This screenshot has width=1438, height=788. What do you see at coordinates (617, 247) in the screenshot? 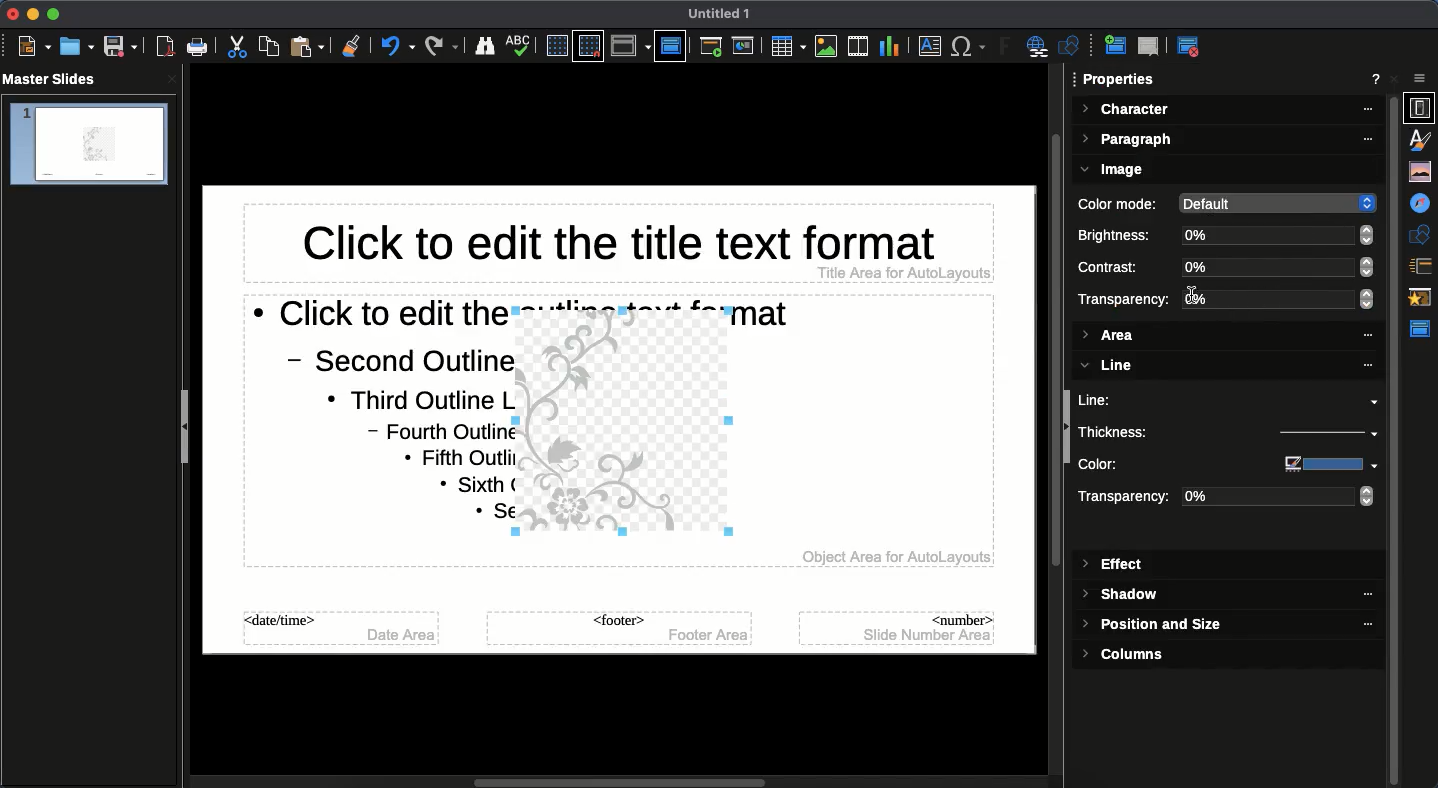
I see `Master slide title` at bounding box center [617, 247].